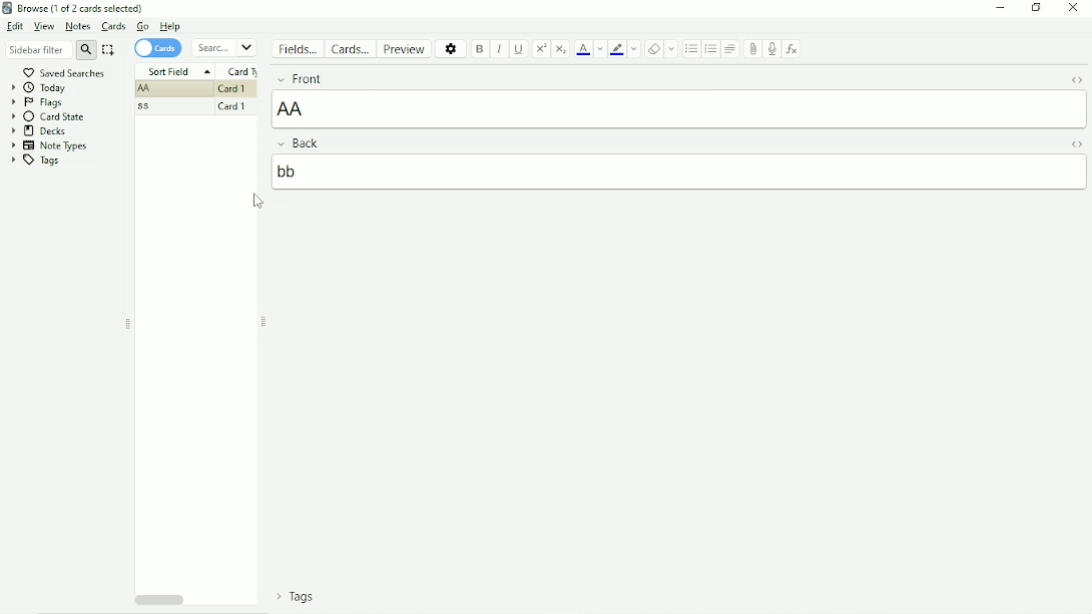 This screenshot has height=614, width=1092. What do you see at coordinates (634, 49) in the screenshot?
I see `Change color` at bounding box center [634, 49].